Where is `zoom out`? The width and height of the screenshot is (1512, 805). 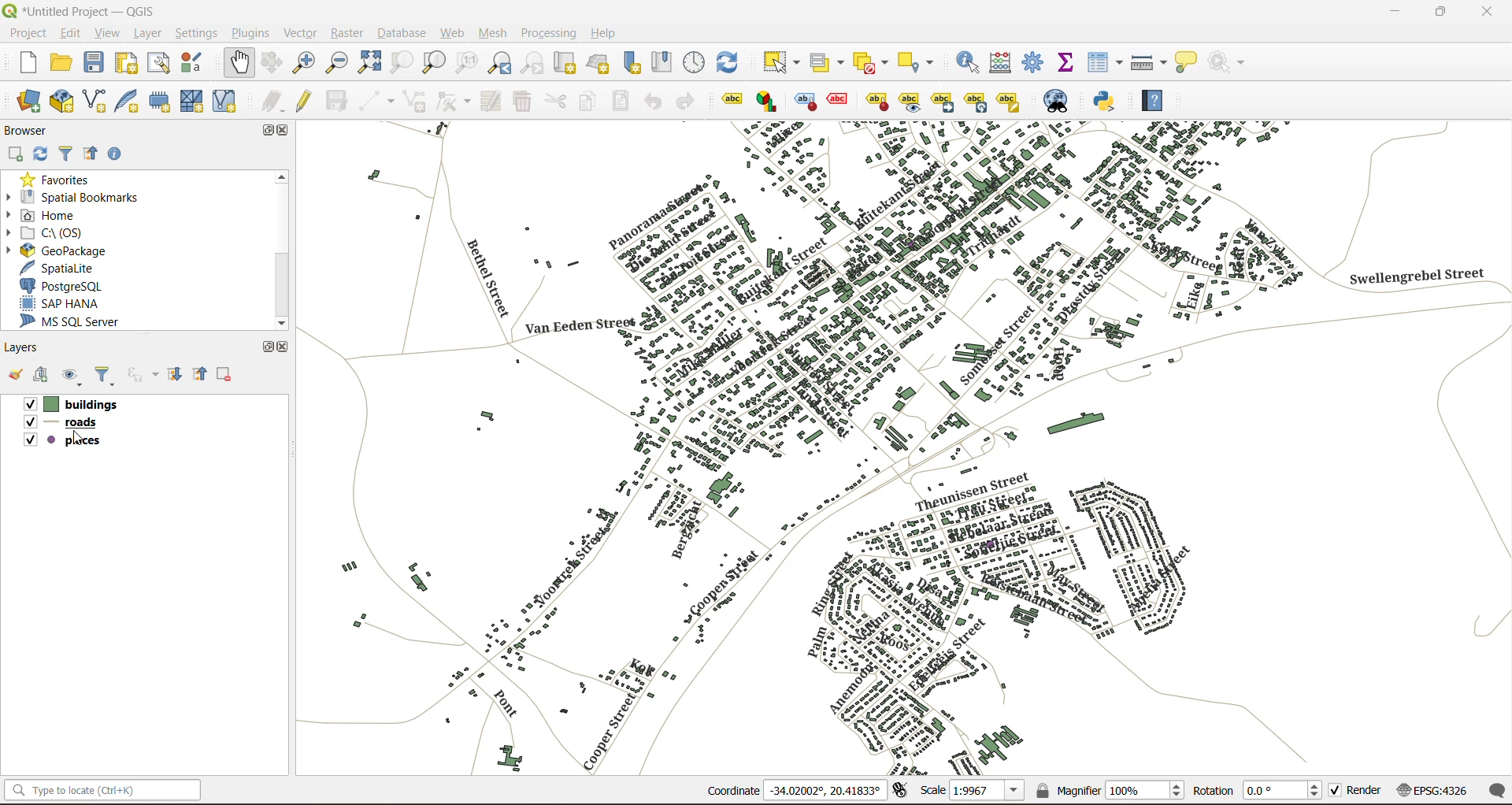
zoom out is located at coordinates (339, 63).